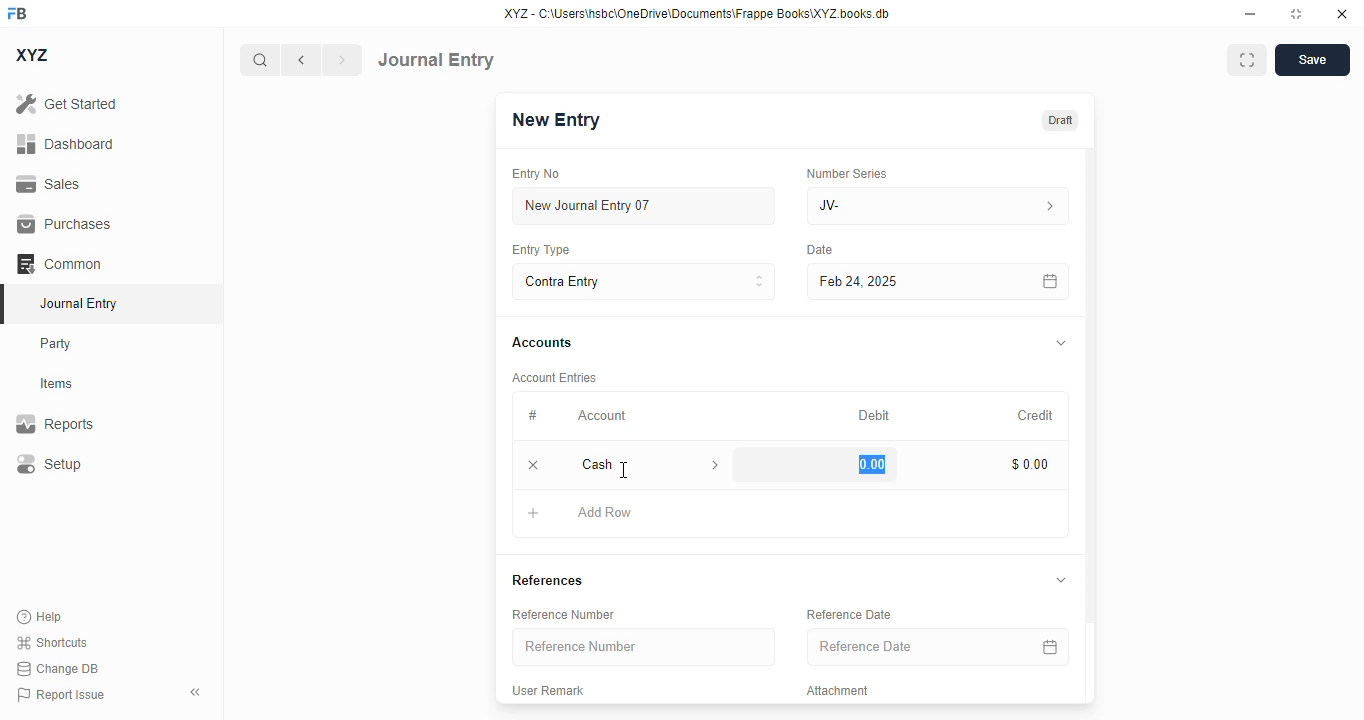 The width and height of the screenshot is (1364, 720). Describe the element at coordinates (605, 513) in the screenshot. I see `add row` at that location.